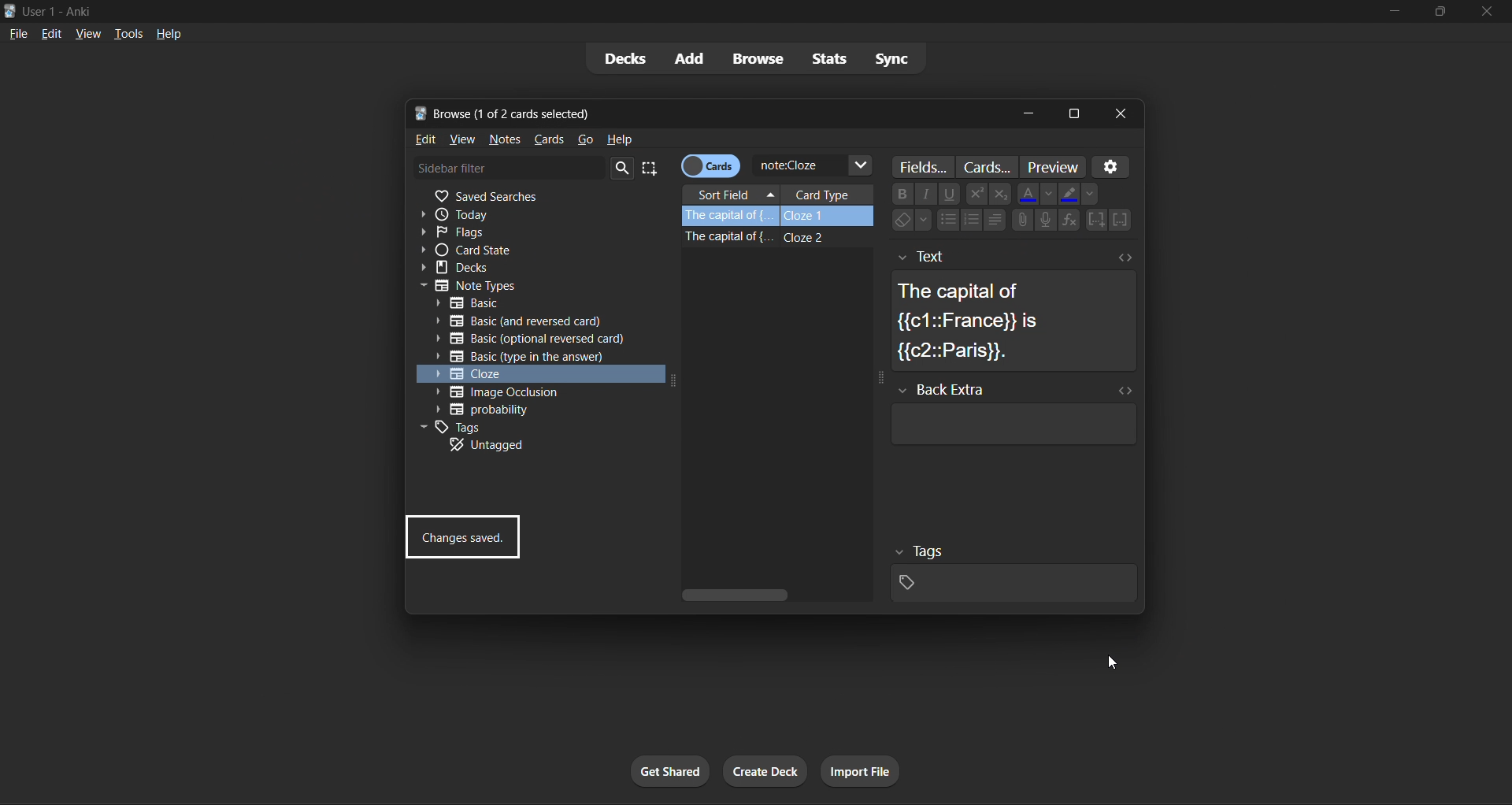 This screenshot has width=1512, height=805. Describe the element at coordinates (774, 594) in the screenshot. I see `horizontal scroll bar` at that location.